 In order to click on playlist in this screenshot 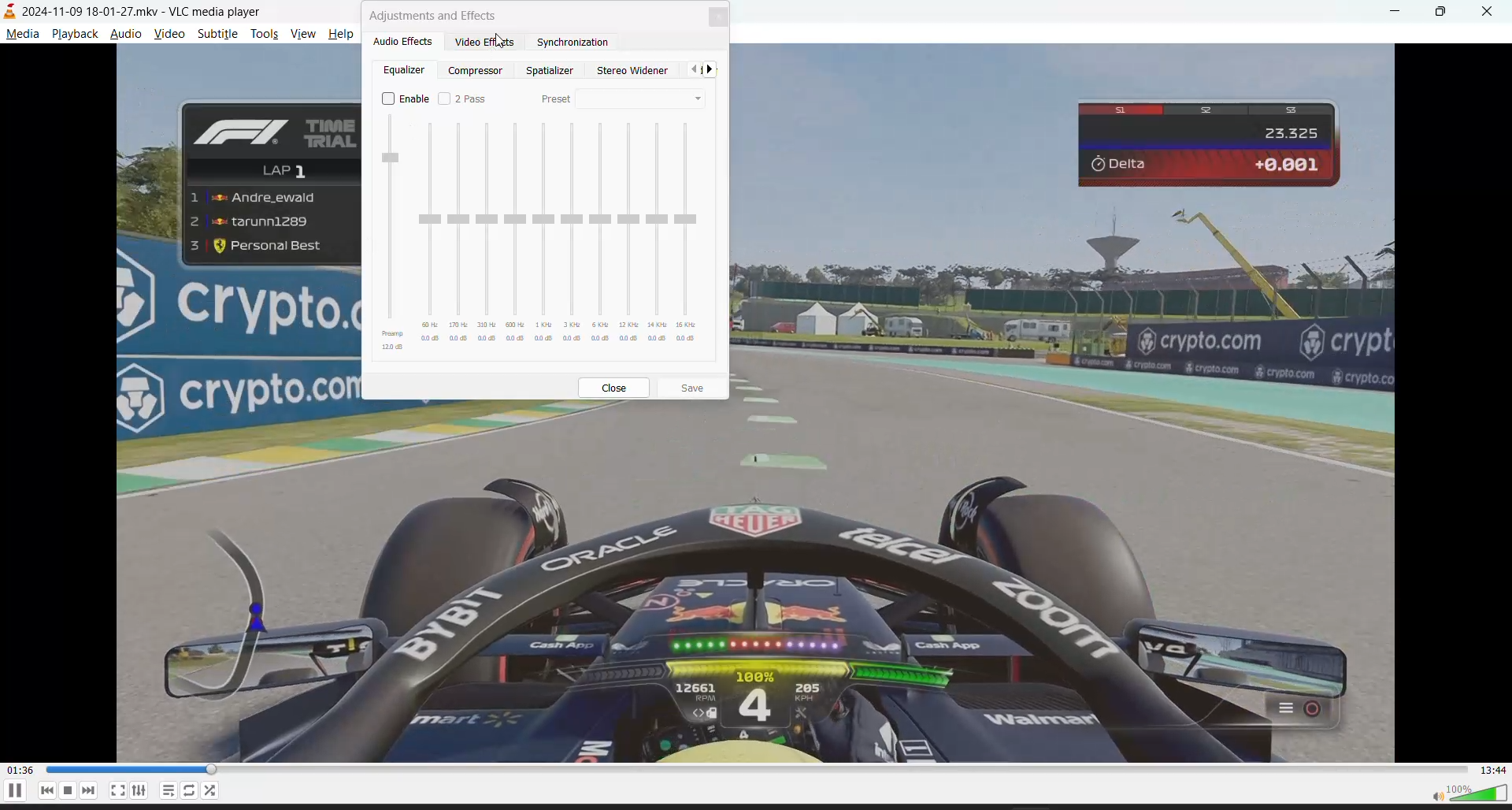, I will do `click(165, 790)`.